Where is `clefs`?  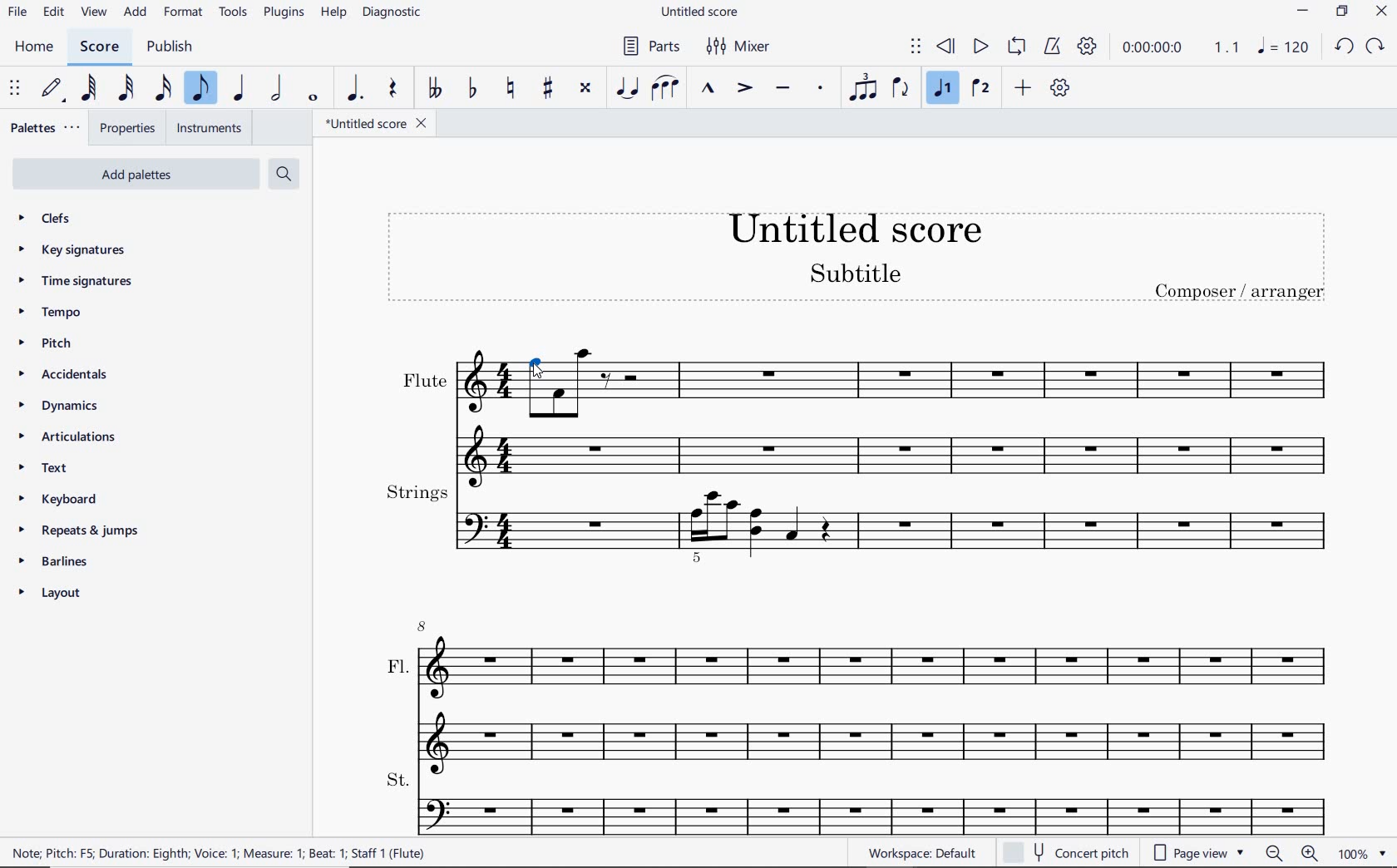
clefs is located at coordinates (47, 219).